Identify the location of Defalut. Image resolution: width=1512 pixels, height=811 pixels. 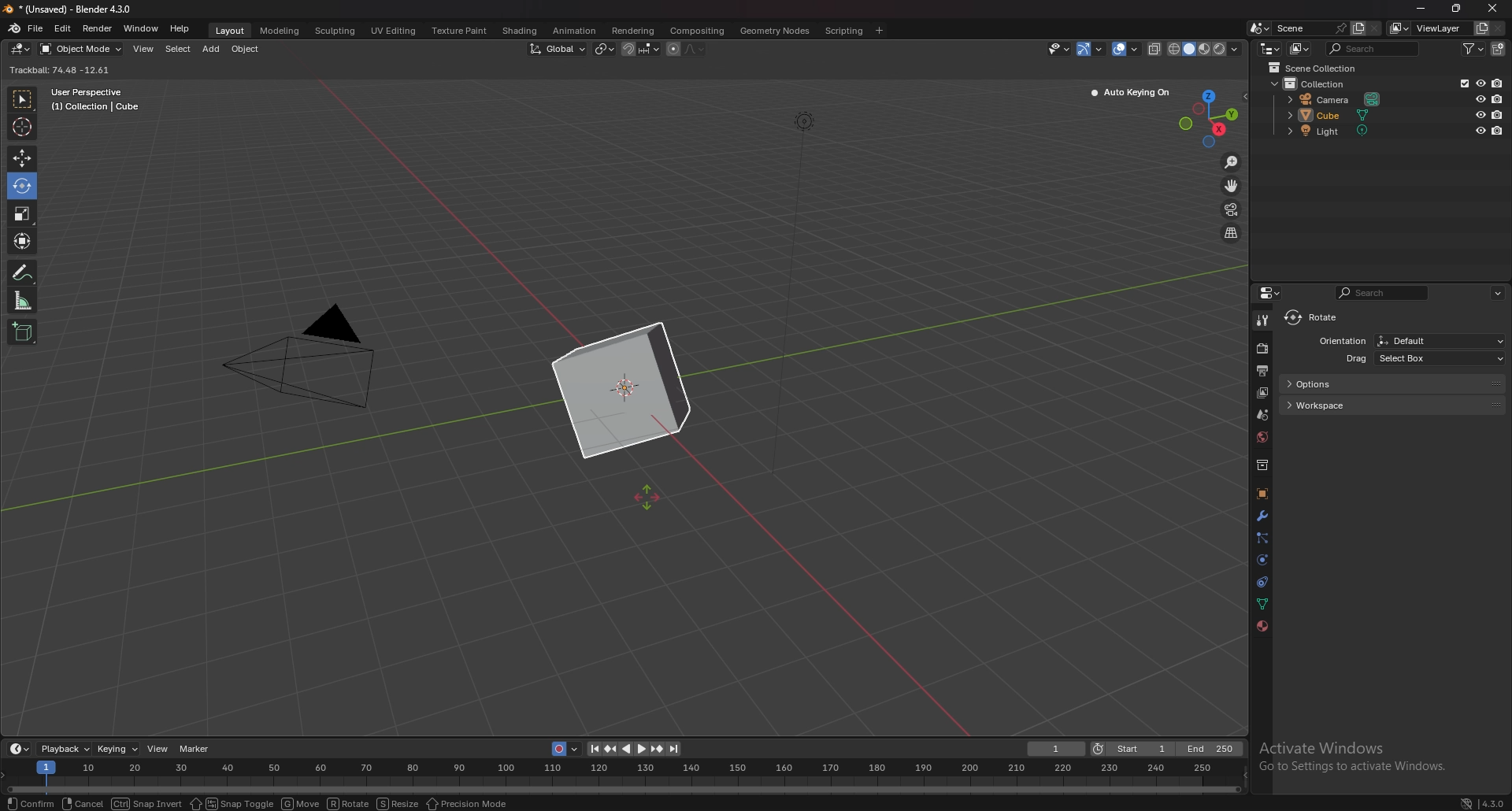
(1440, 340).